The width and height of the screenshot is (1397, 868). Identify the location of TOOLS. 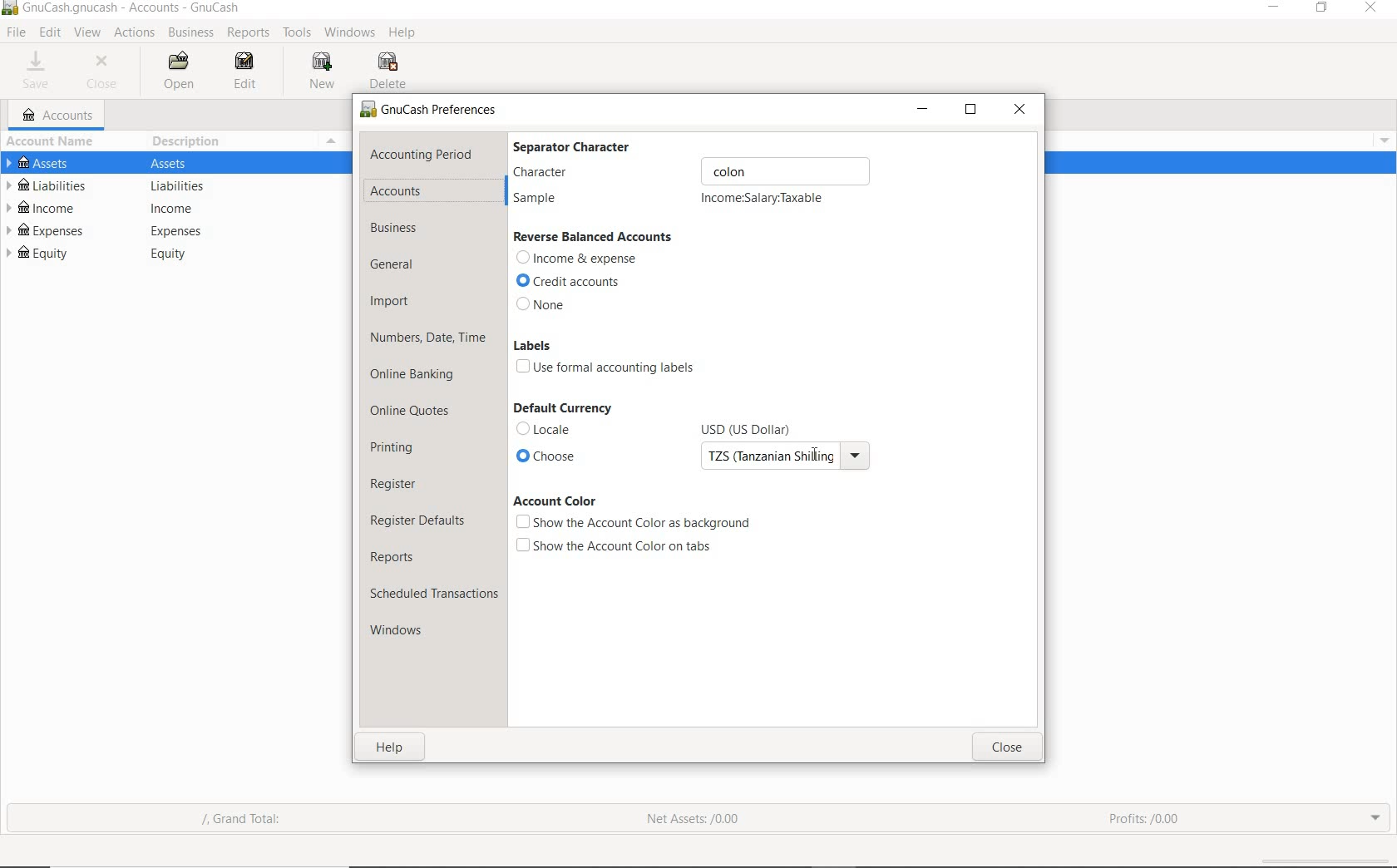
(295, 33).